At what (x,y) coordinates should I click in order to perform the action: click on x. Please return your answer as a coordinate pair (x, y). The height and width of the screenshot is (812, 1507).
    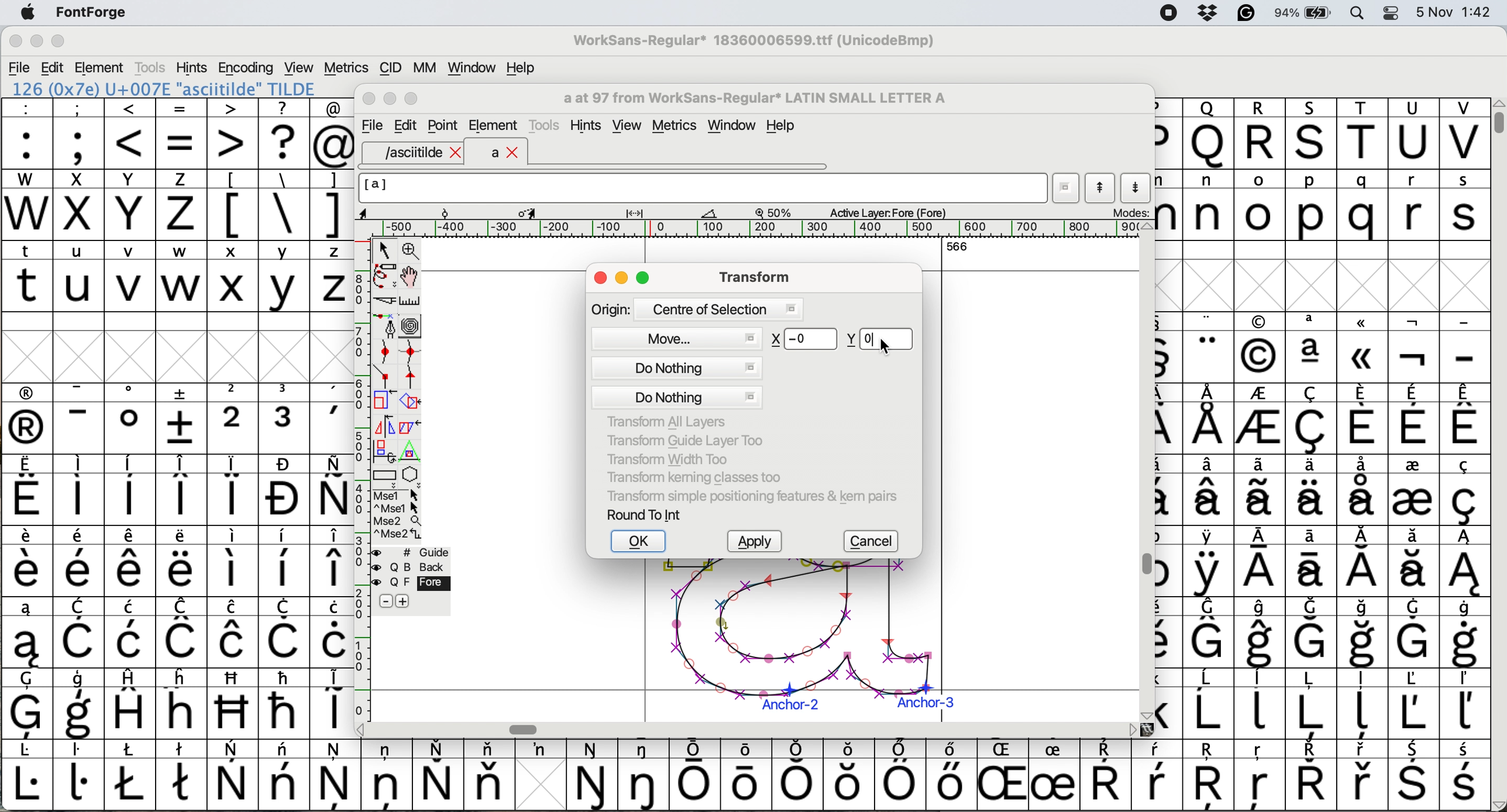
    Looking at the image, I should click on (232, 276).